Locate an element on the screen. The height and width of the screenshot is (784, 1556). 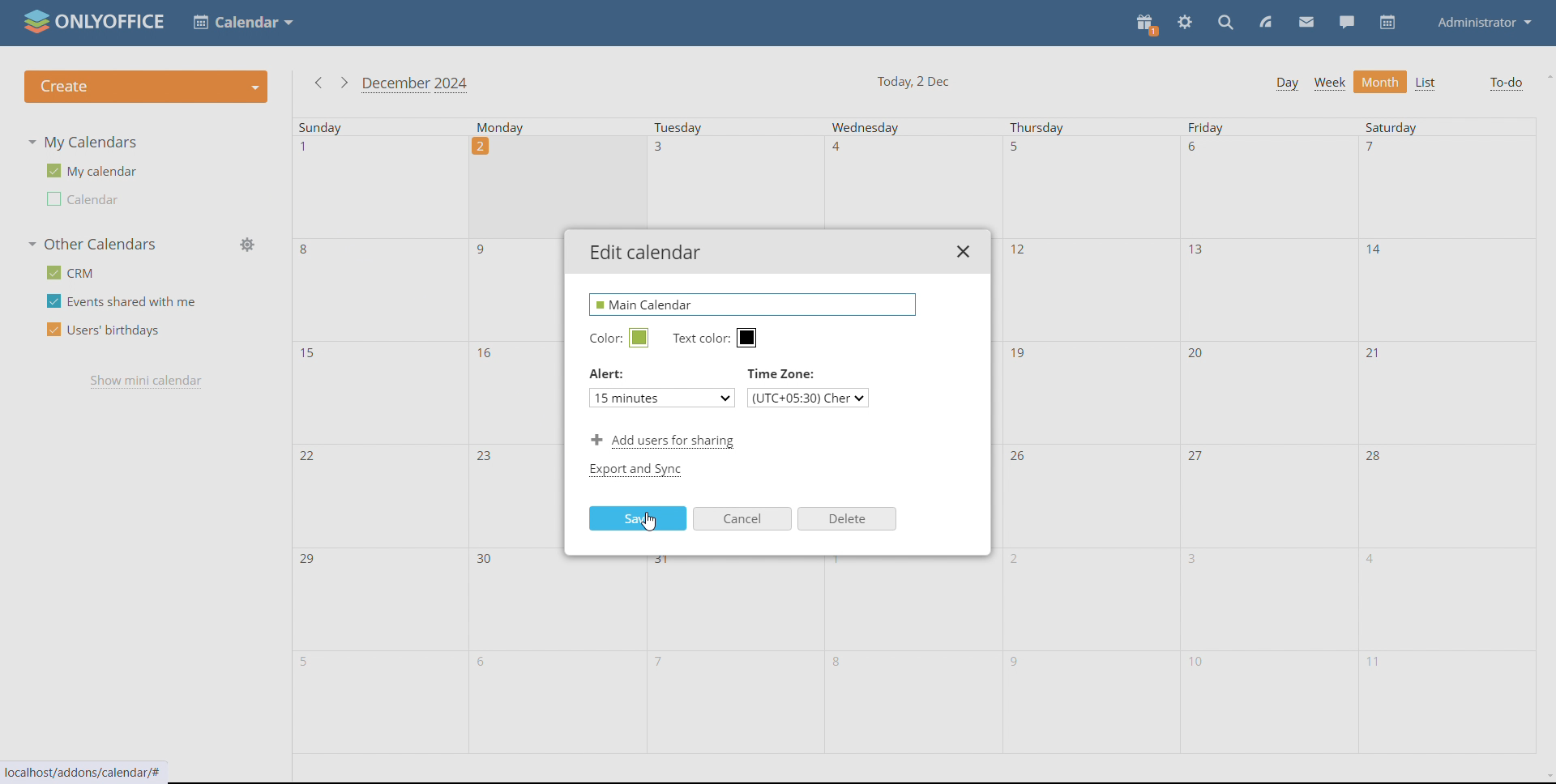
name edited is located at coordinates (644, 305).